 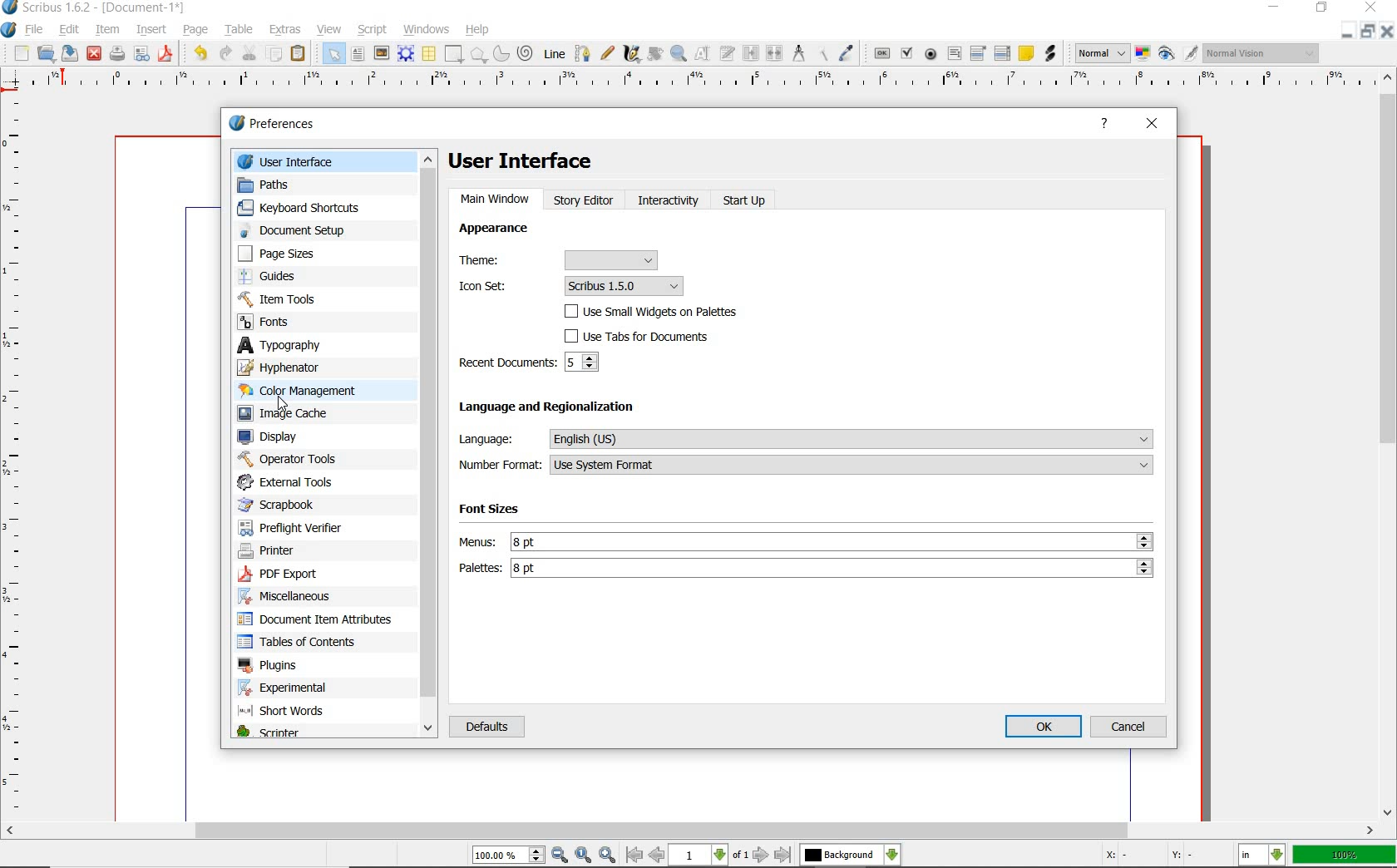 What do you see at coordinates (501, 53) in the screenshot?
I see `arc` at bounding box center [501, 53].